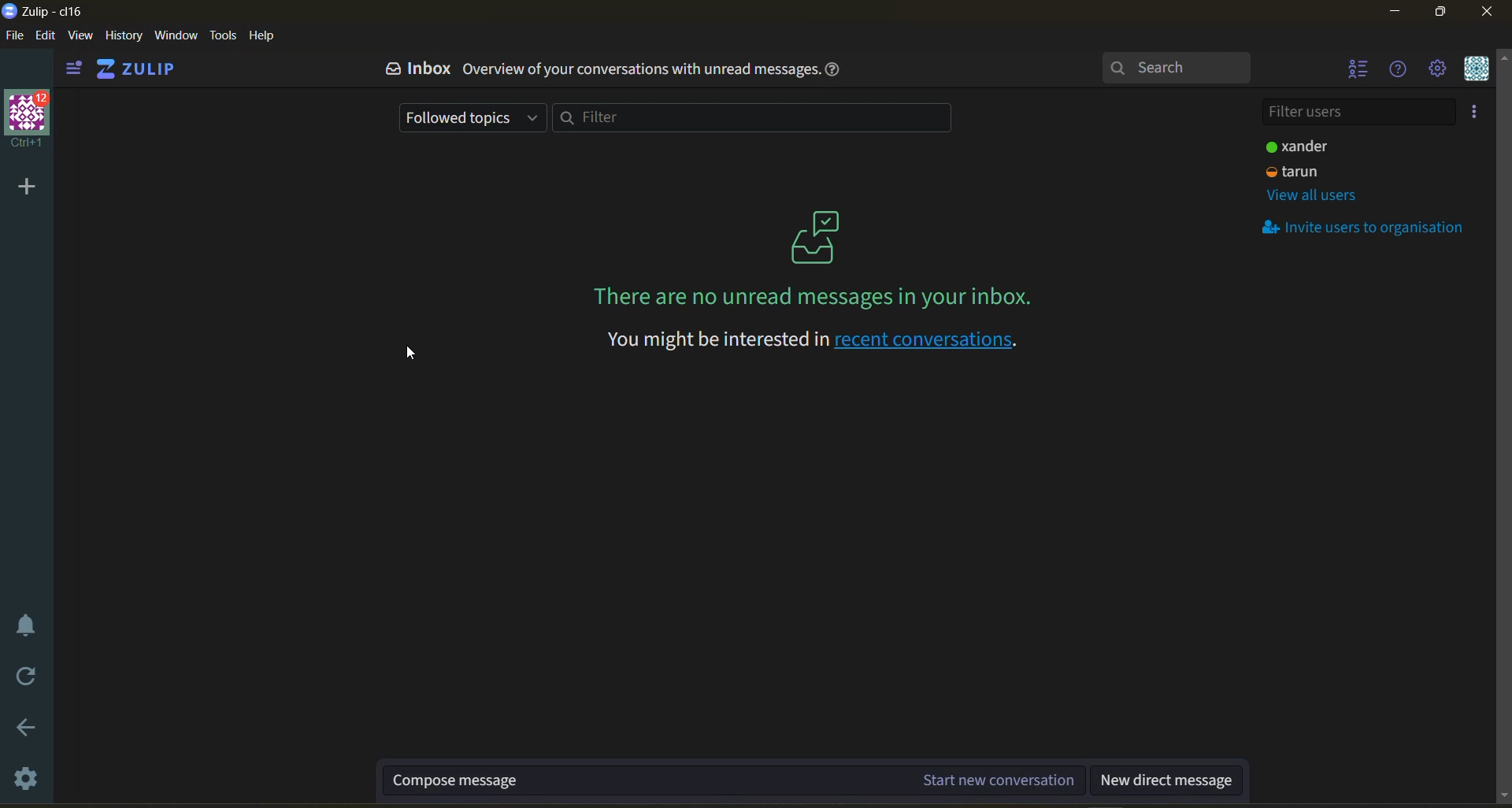 The height and width of the screenshot is (808, 1512). I want to click on maximize, so click(1437, 13).